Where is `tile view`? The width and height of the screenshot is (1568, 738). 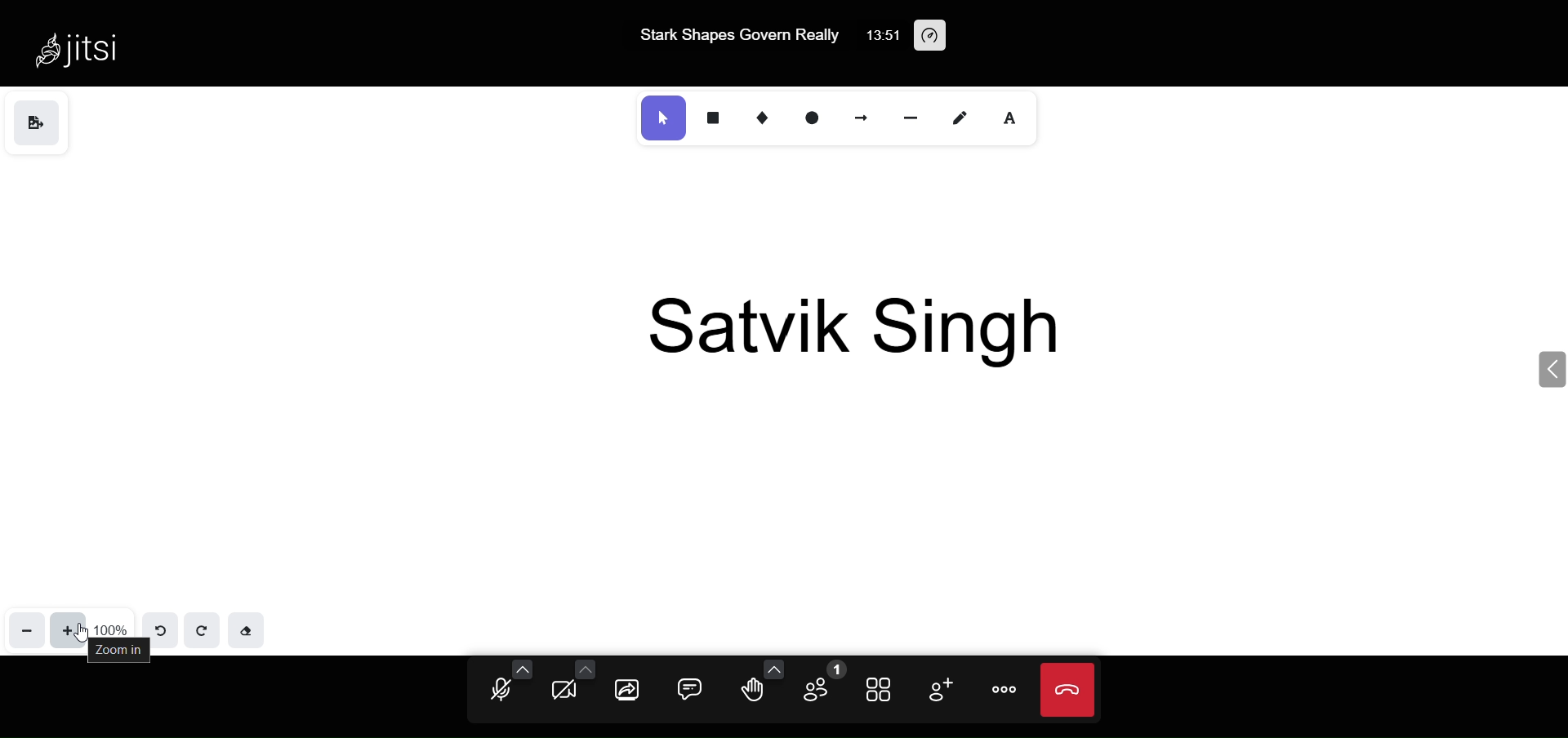 tile view is located at coordinates (881, 688).